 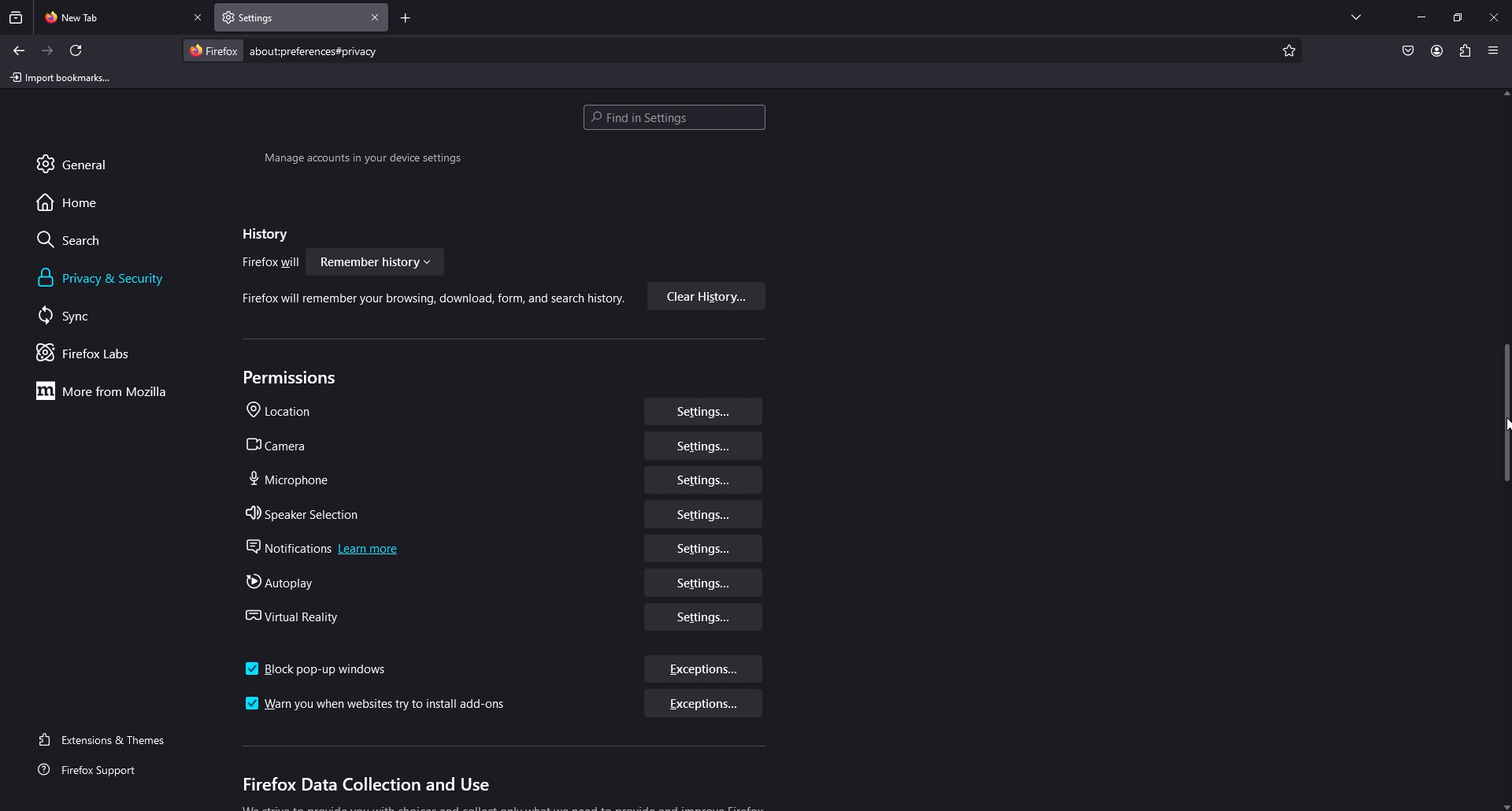 I want to click on new tab, so click(x=111, y=16).